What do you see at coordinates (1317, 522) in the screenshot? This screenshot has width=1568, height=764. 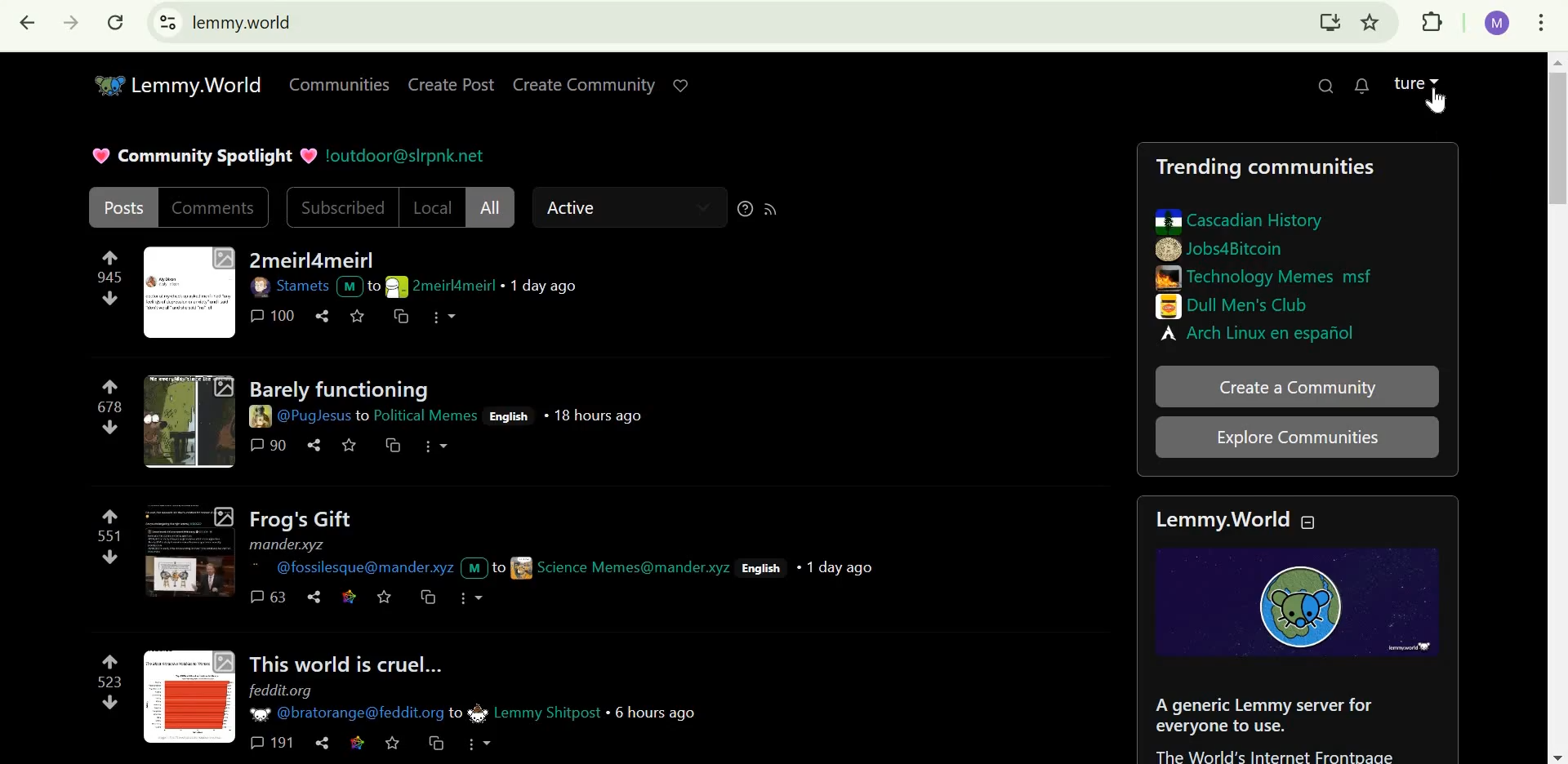 I see `collapse` at bounding box center [1317, 522].